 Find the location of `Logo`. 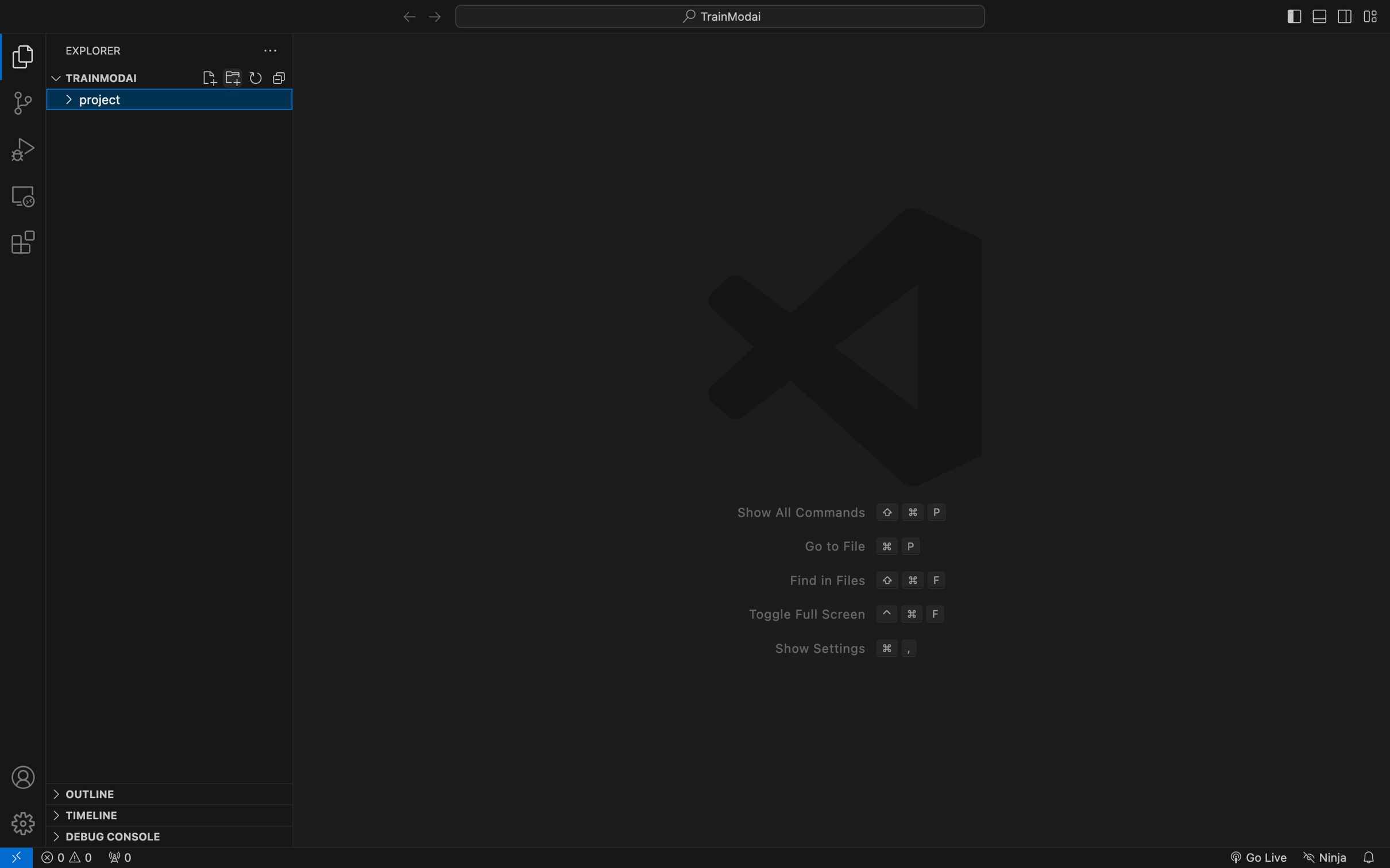

Logo is located at coordinates (846, 343).